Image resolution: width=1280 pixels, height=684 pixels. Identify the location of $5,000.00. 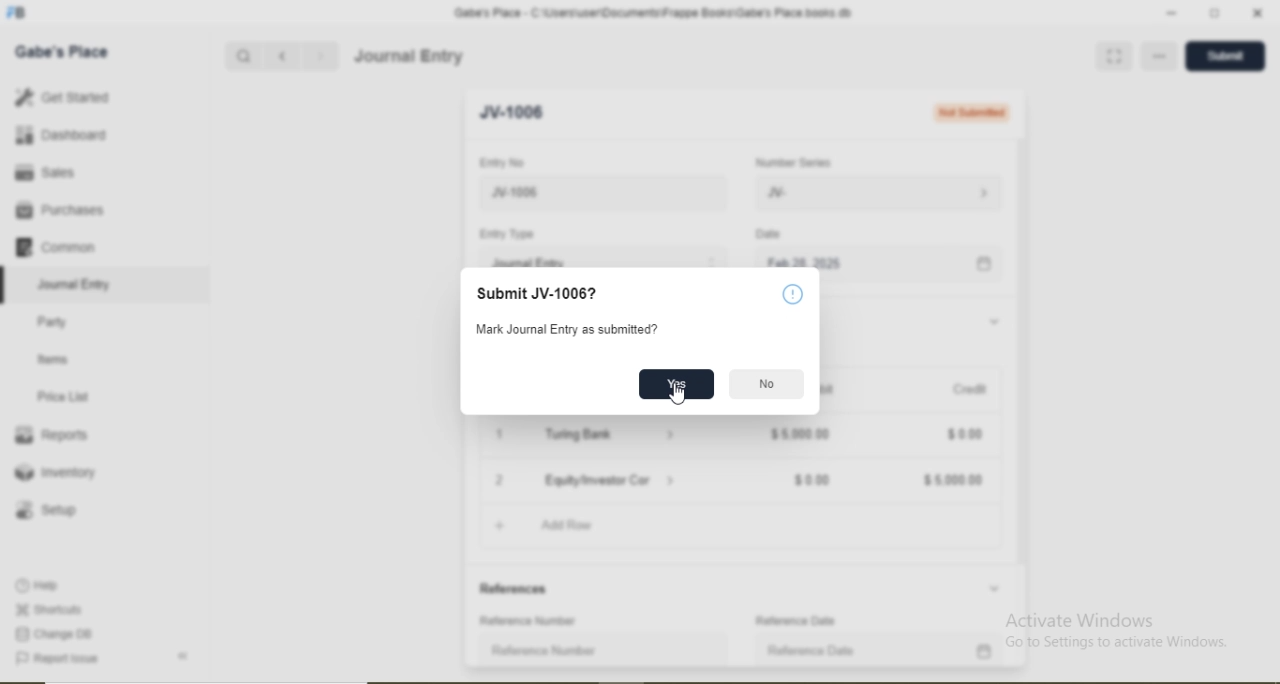
(954, 481).